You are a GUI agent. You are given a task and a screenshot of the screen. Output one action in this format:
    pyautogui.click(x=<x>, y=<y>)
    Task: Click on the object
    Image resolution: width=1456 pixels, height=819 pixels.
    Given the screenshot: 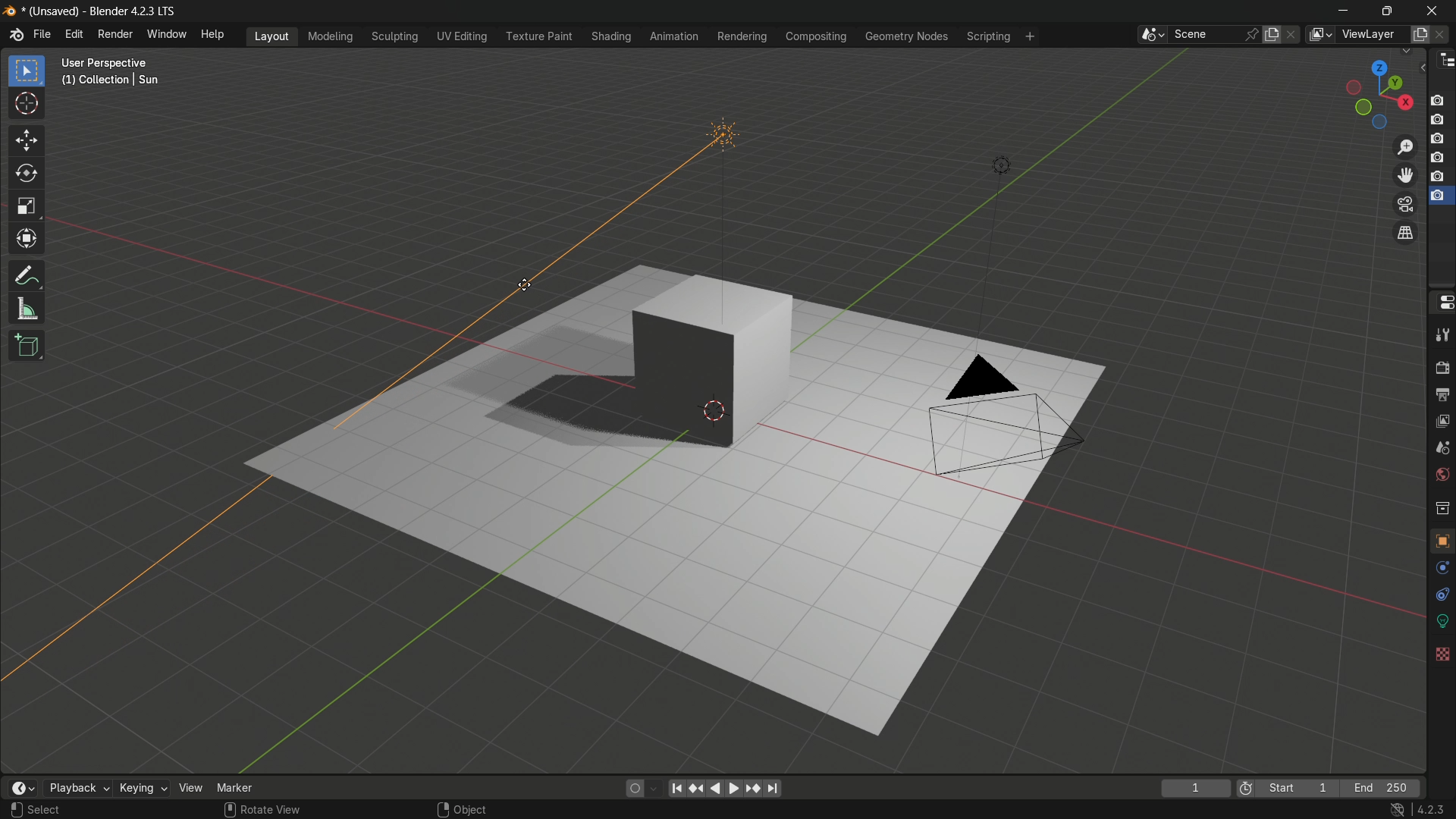 What is the action you would take?
    pyautogui.click(x=472, y=810)
    